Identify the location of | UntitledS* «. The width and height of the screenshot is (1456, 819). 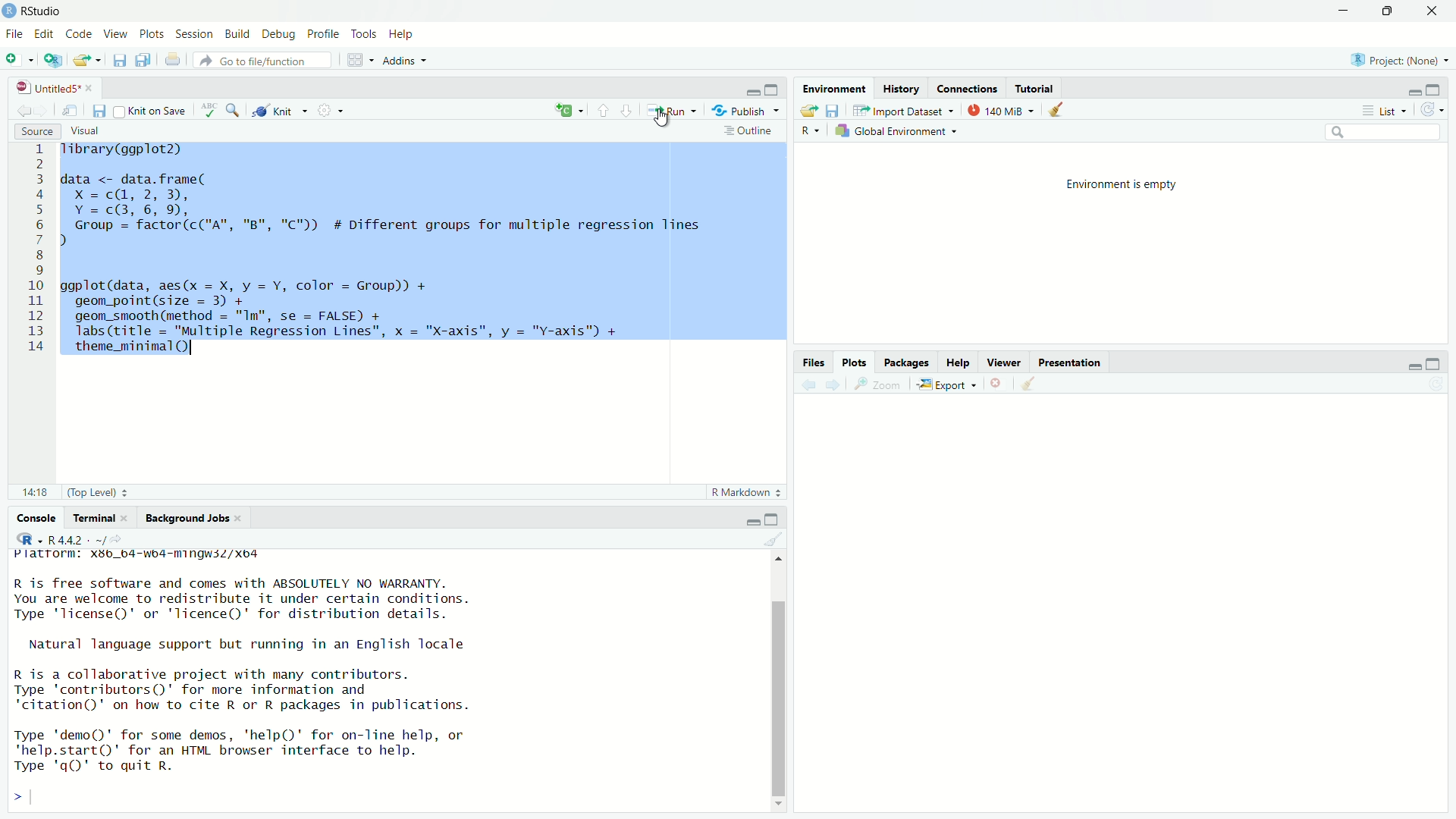
(53, 86).